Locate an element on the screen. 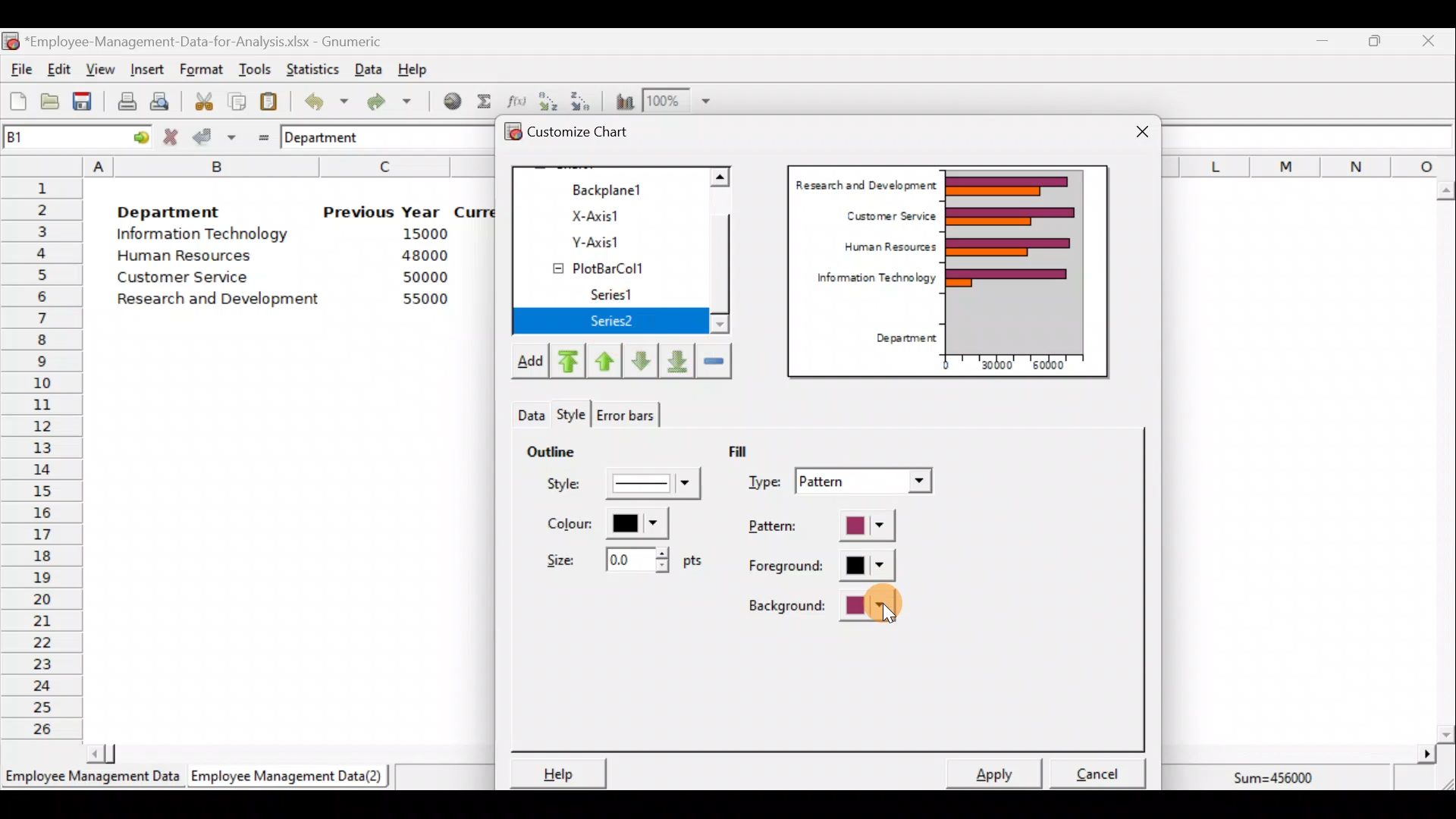  Sort in Ascending order is located at coordinates (548, 101).